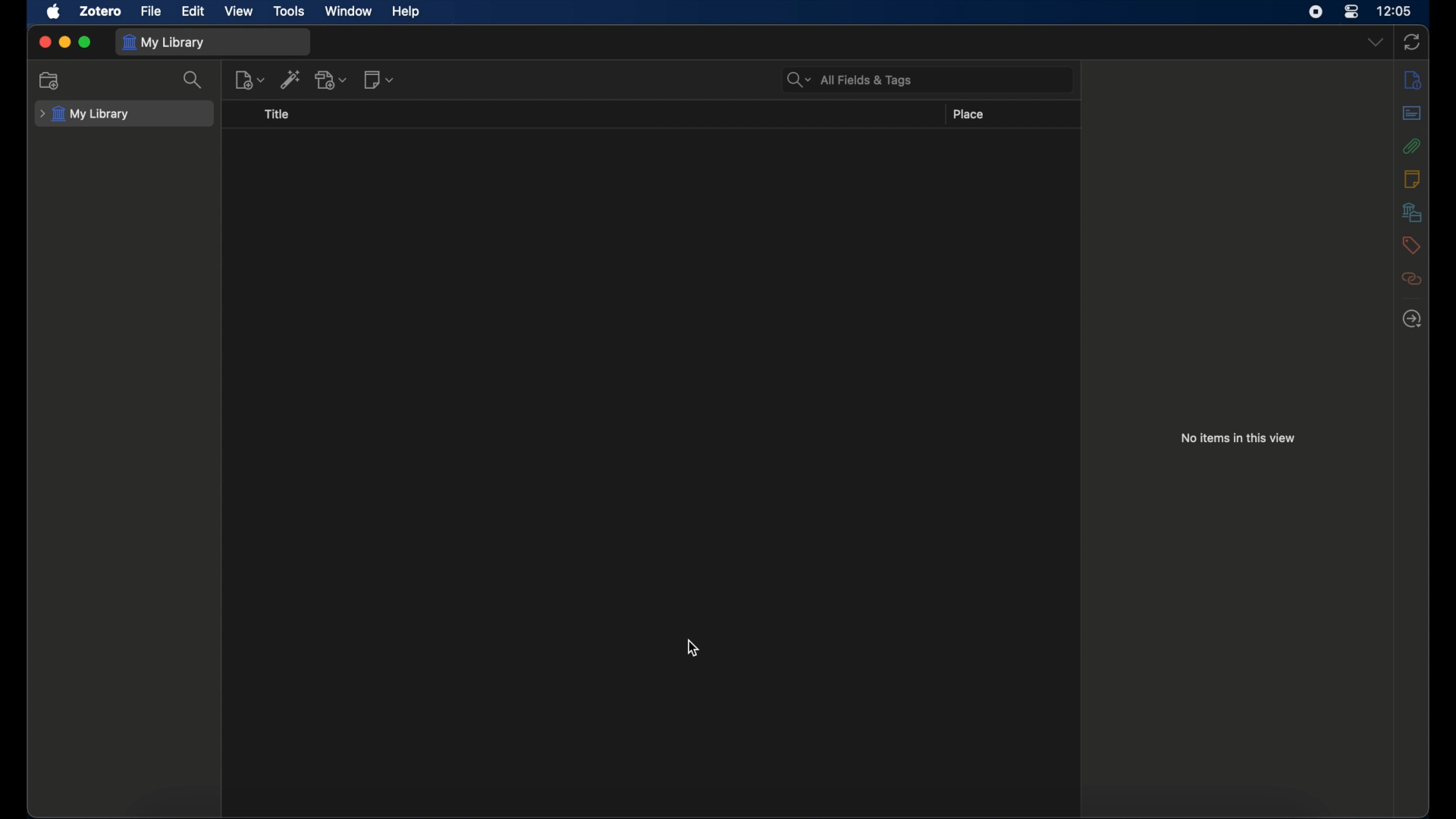  Describe the element at coordinates (1411, 320) in the screenshot. I see `locate` at that location.